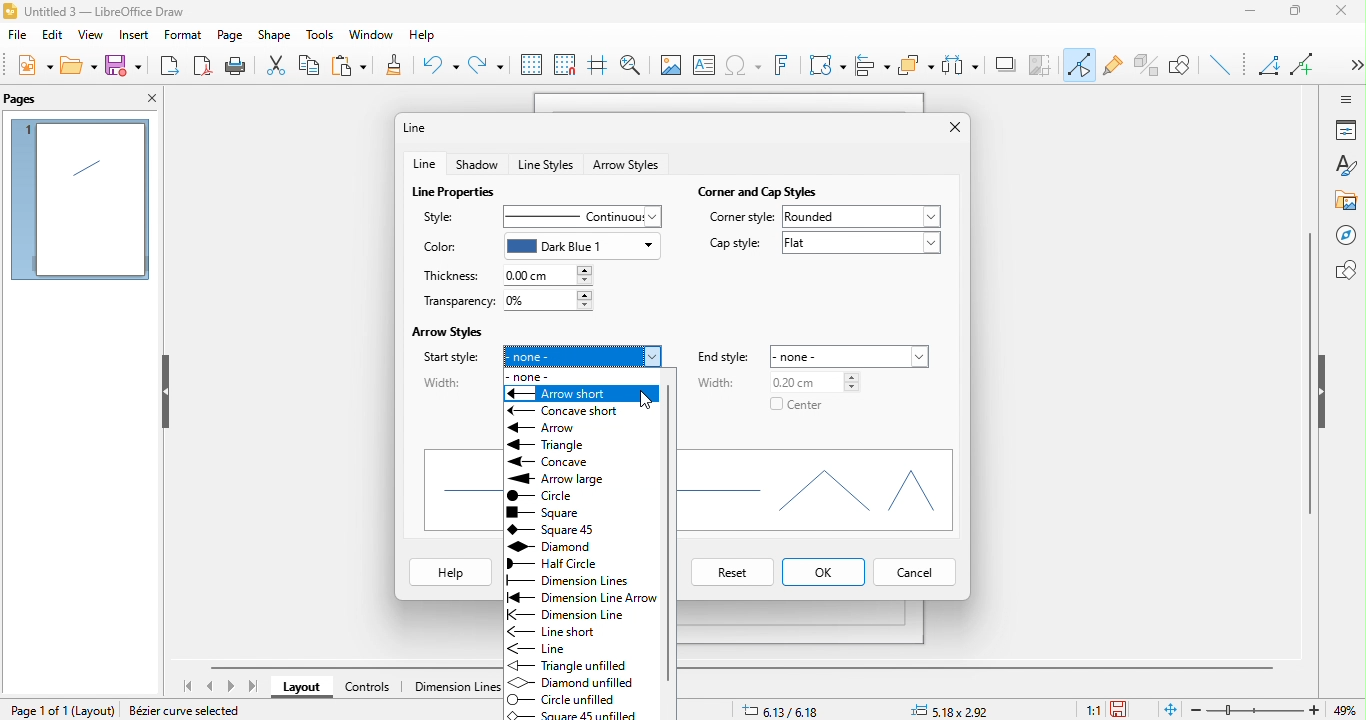 The height and width of the screenshot is (720, 1366). I want to click on export directly as pdf, so click(203, 67).